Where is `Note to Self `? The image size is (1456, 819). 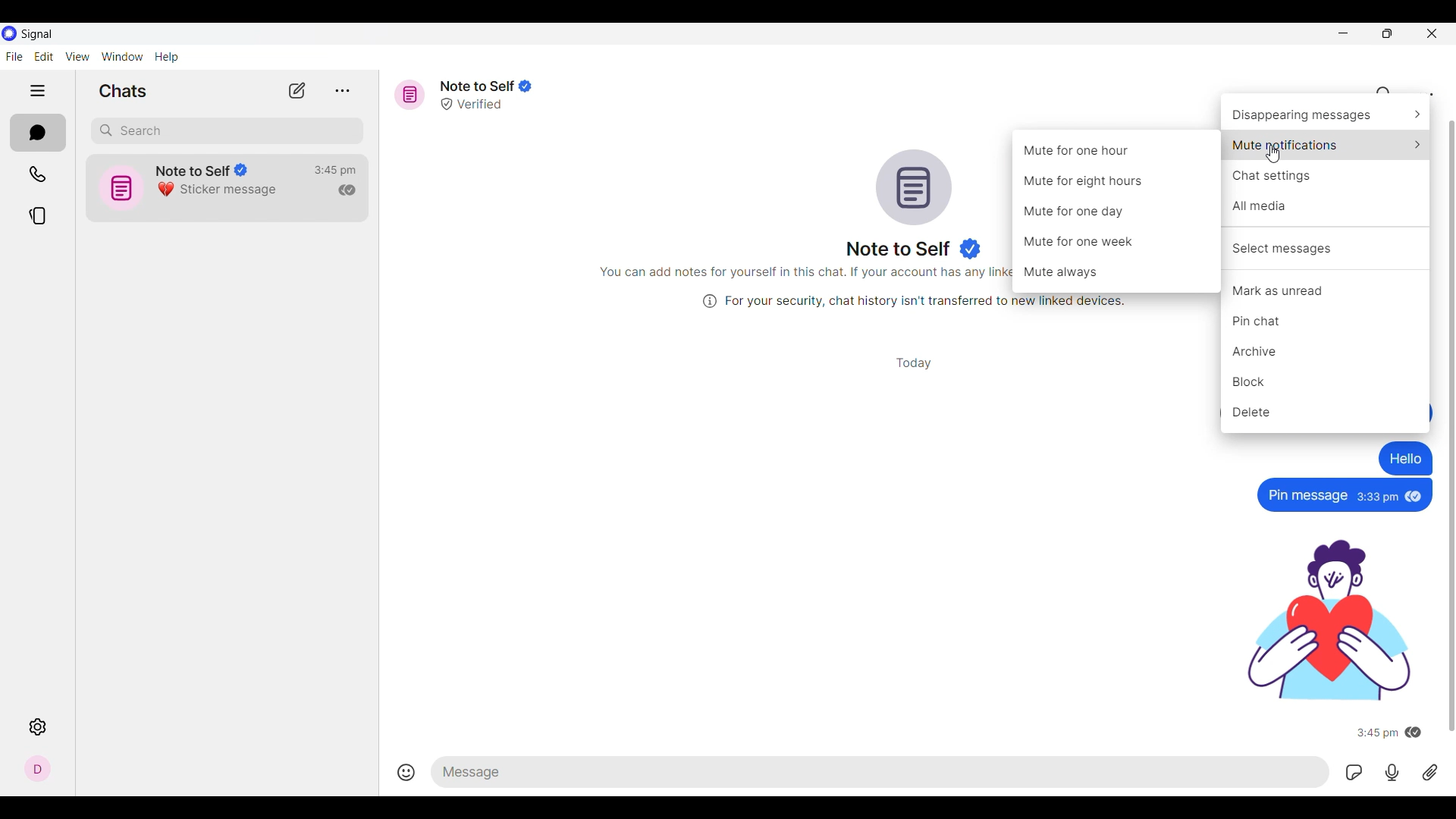 Note to Self  is located at coordinates (202, 168).